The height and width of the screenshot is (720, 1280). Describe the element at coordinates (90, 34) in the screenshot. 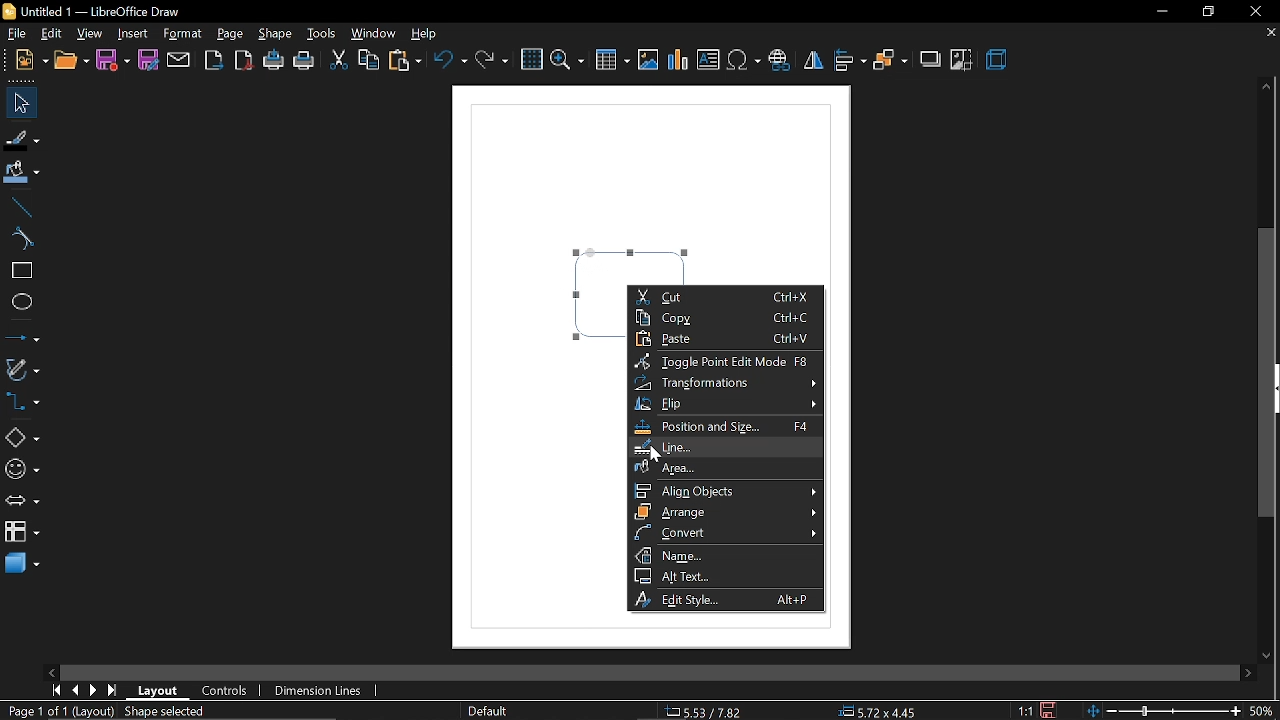

I see `view` at that location.